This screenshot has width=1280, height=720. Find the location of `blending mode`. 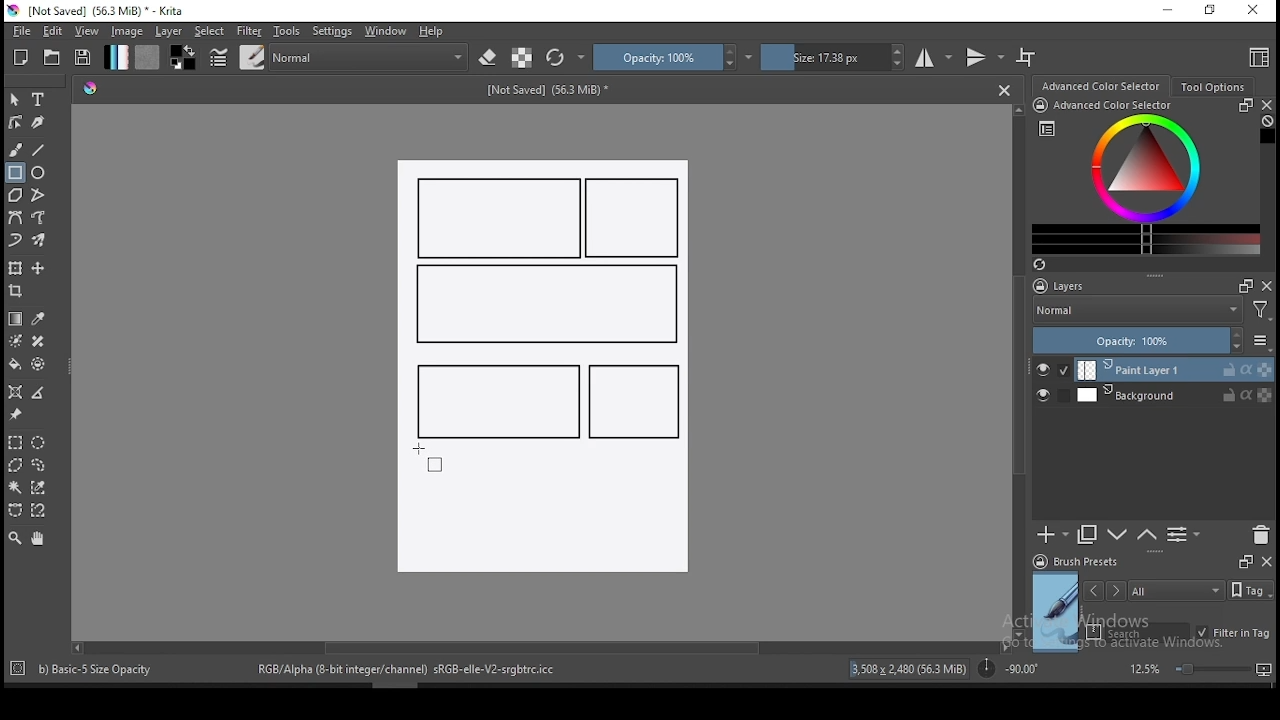

blending mode is located at coordinates (370, 57).